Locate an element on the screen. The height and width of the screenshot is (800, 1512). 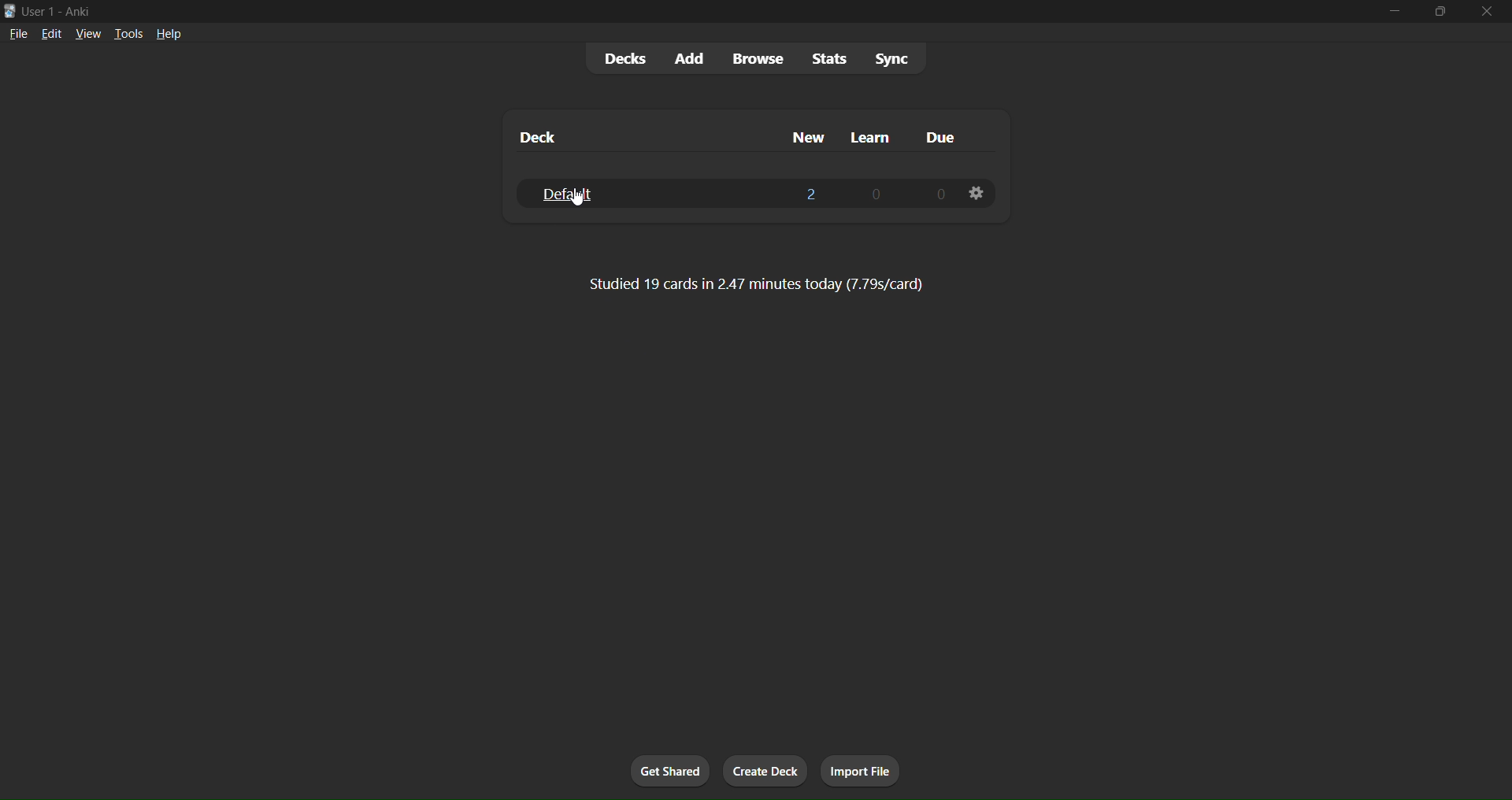
deck is located at coordinates (538, 136).